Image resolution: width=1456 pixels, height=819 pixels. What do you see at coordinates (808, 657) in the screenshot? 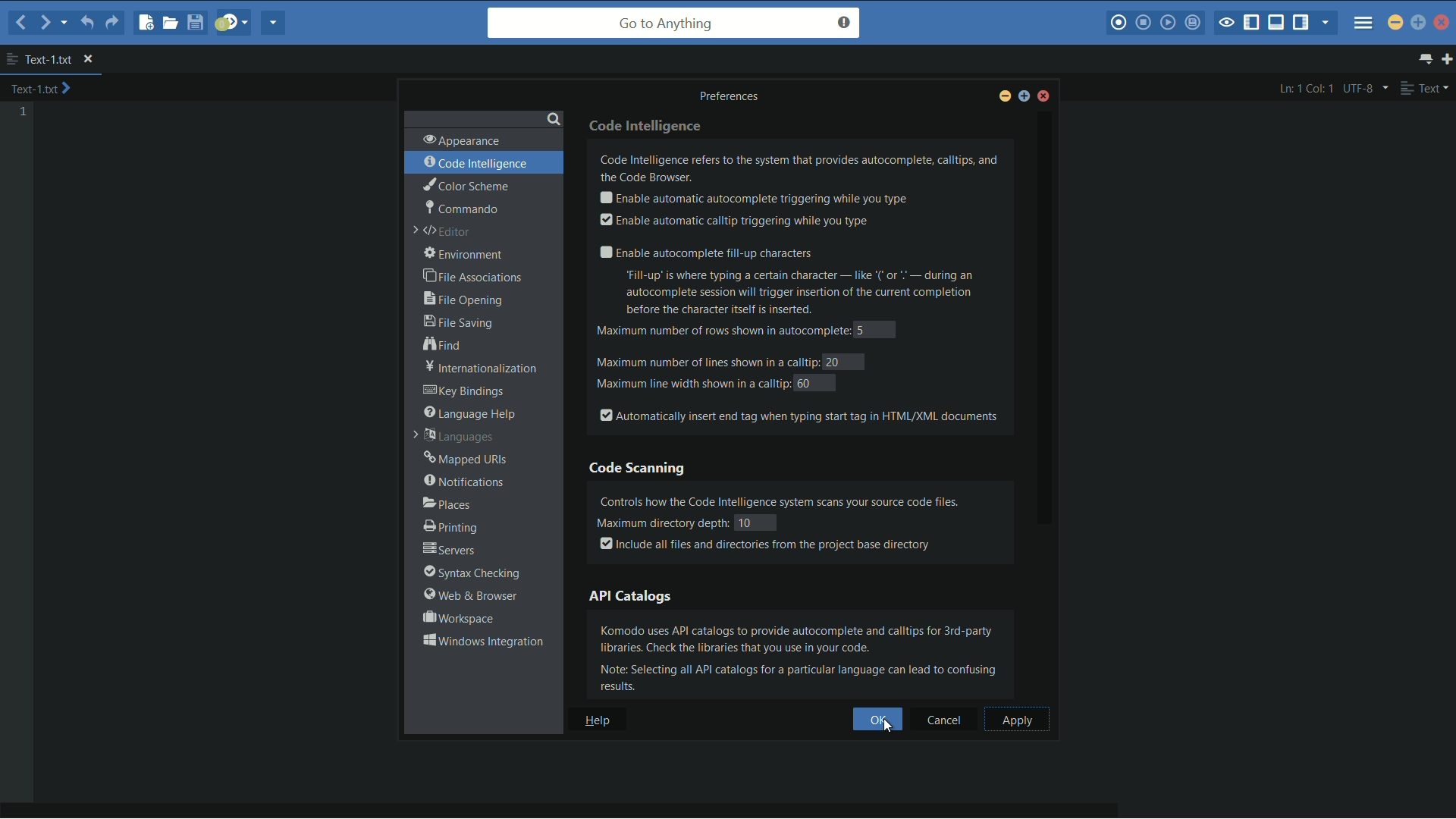
I see `Komodo uses AP catalogs to provide autocomplete and calltips for 3rd-party
libraries. Check the libraries that you use in your code.

Note: Selecting all API catalogs for a particular language can lead to confusing
results.` at bounding box center [808, 657].